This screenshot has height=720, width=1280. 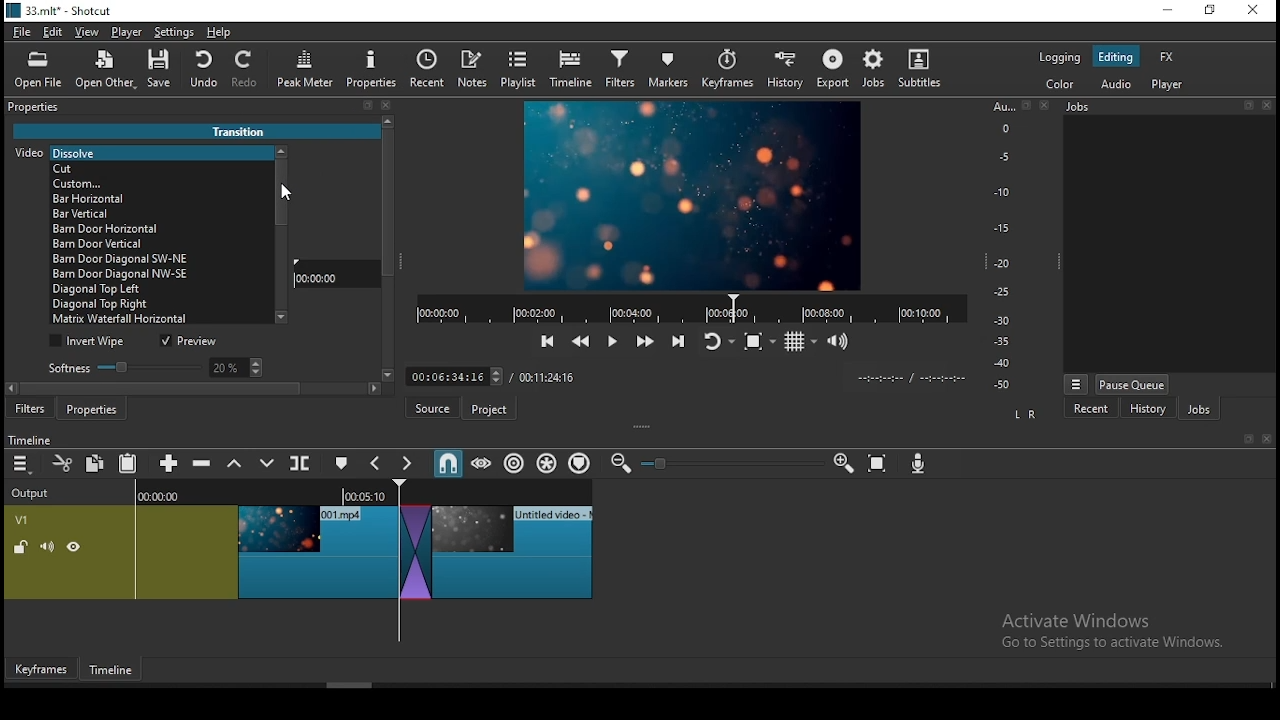 What do you see at coordinates (90, 34) in the screenshot?
I see `view` at bounding box center [90, 34].